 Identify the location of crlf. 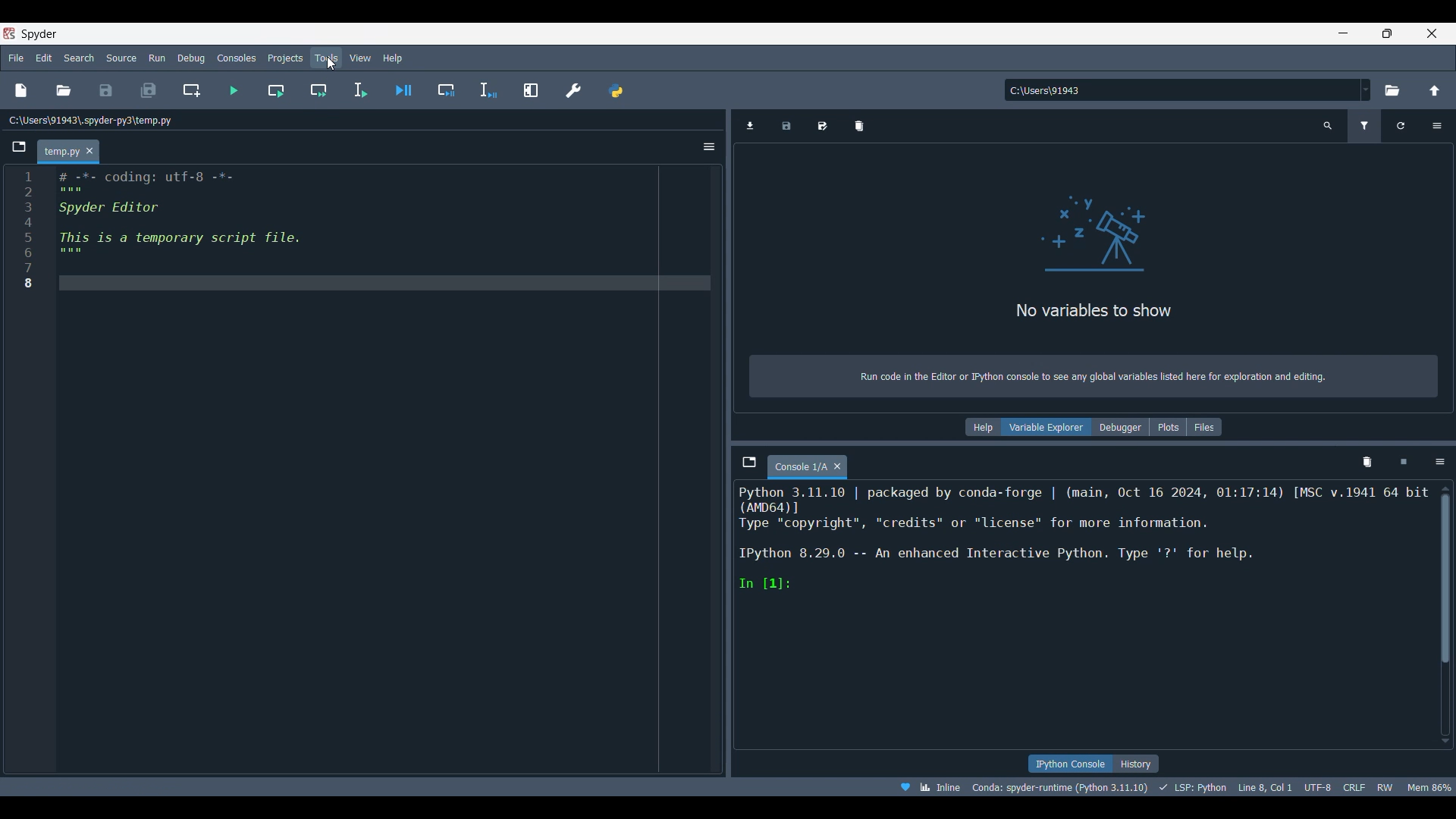
(1354, 786).